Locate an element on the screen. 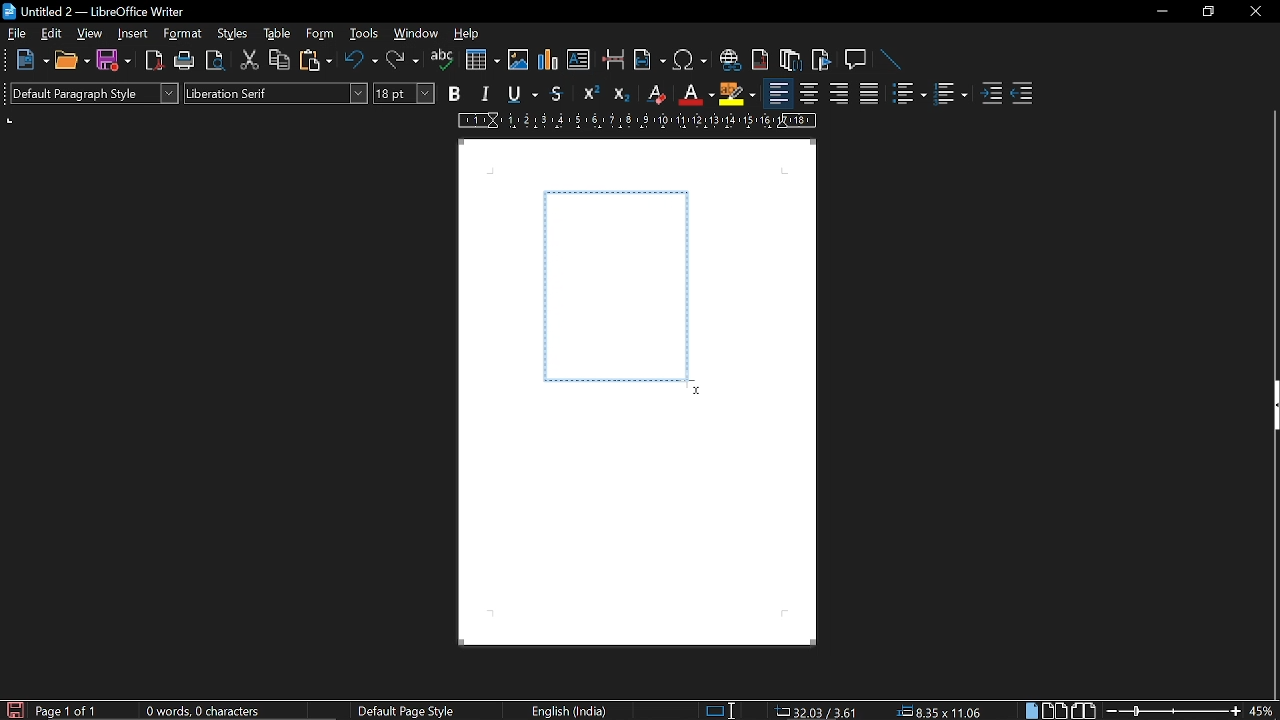  indent left is located at coordinates (991, 95).